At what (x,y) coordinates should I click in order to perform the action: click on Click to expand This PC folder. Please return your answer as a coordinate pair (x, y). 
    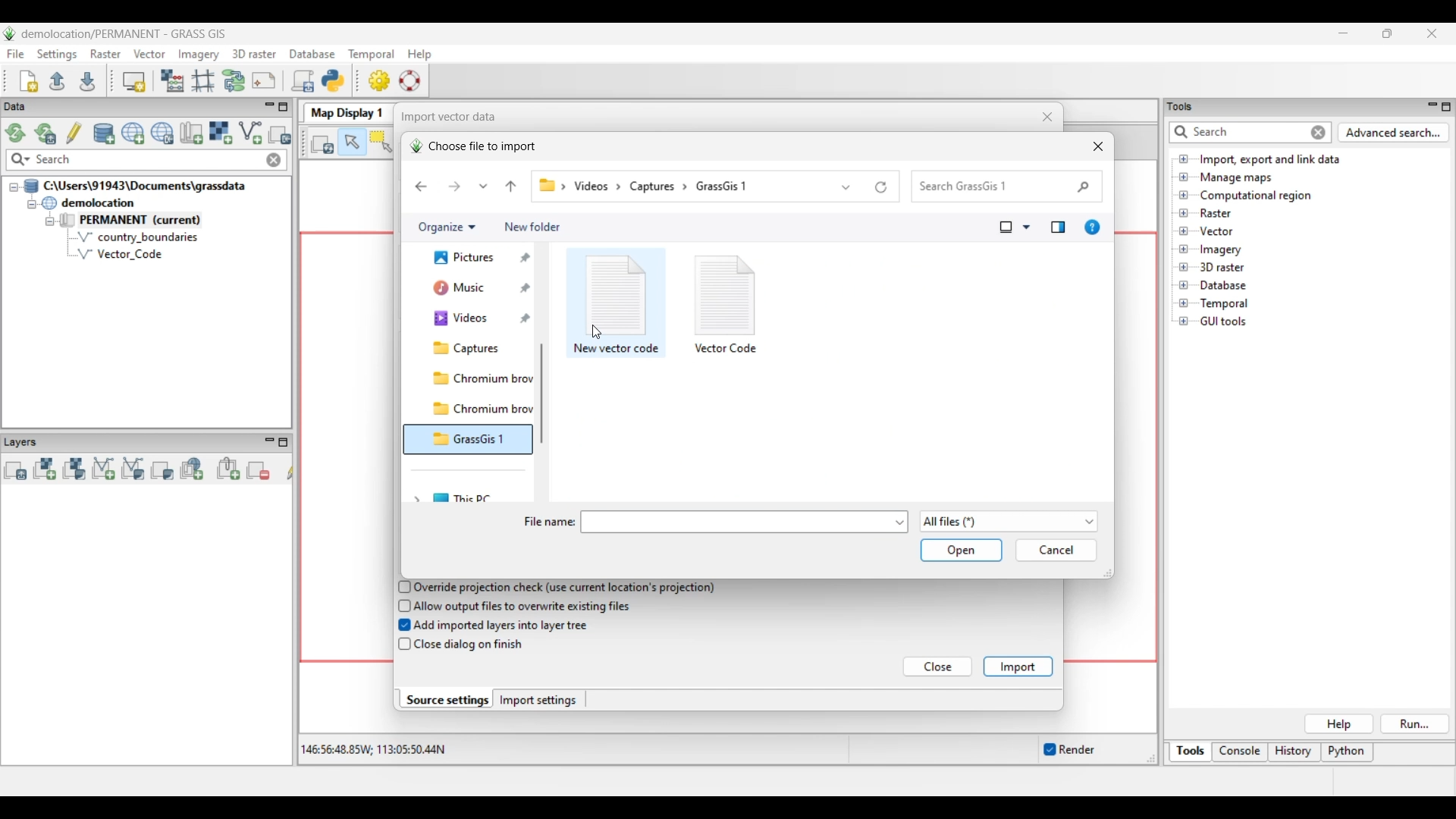
    Looking at the image, I should click on (416, 497).